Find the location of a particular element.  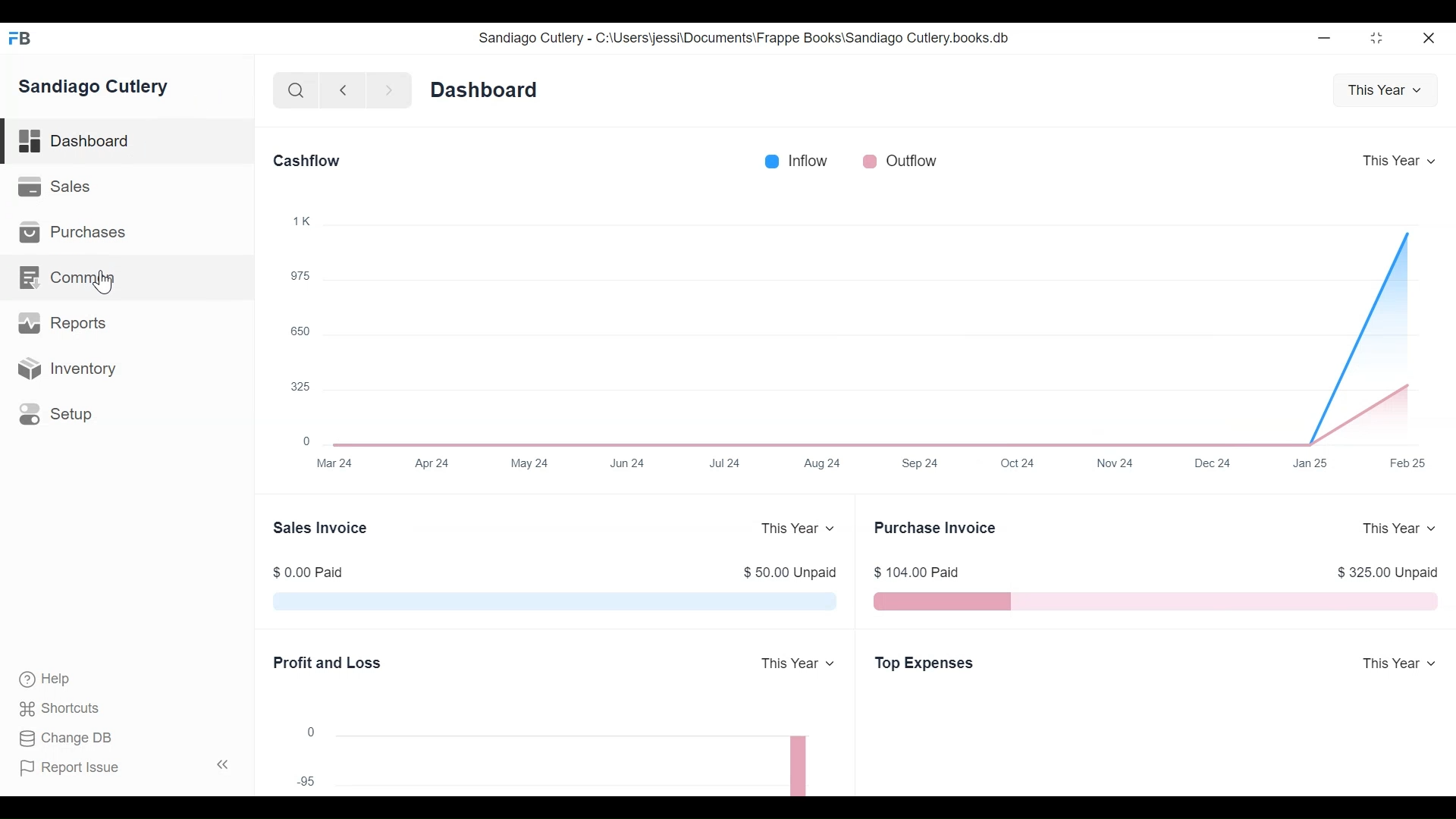

975 is located at coordinates (301, 275).